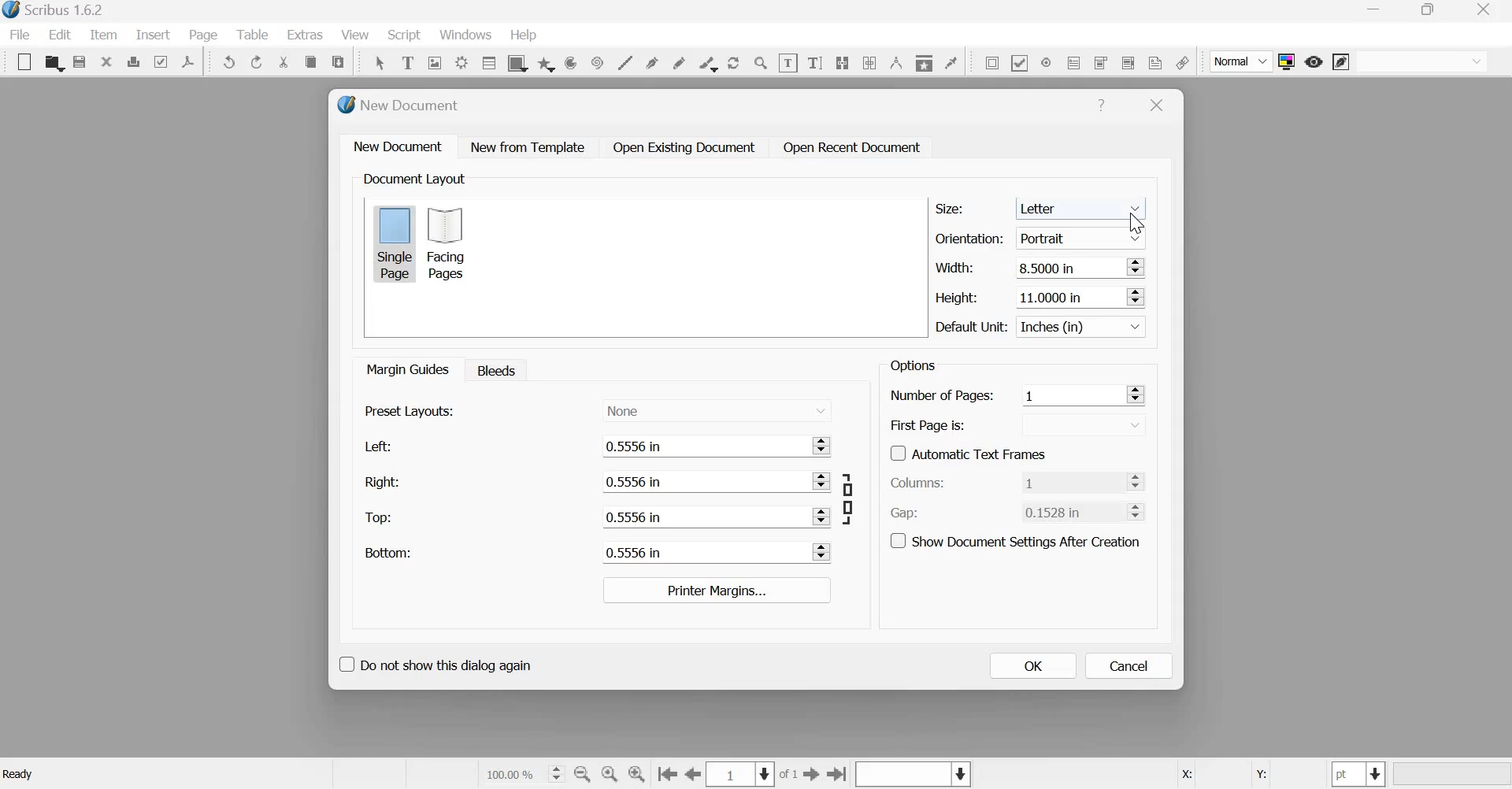  I want to click on current zoom level, so click(523, 773).